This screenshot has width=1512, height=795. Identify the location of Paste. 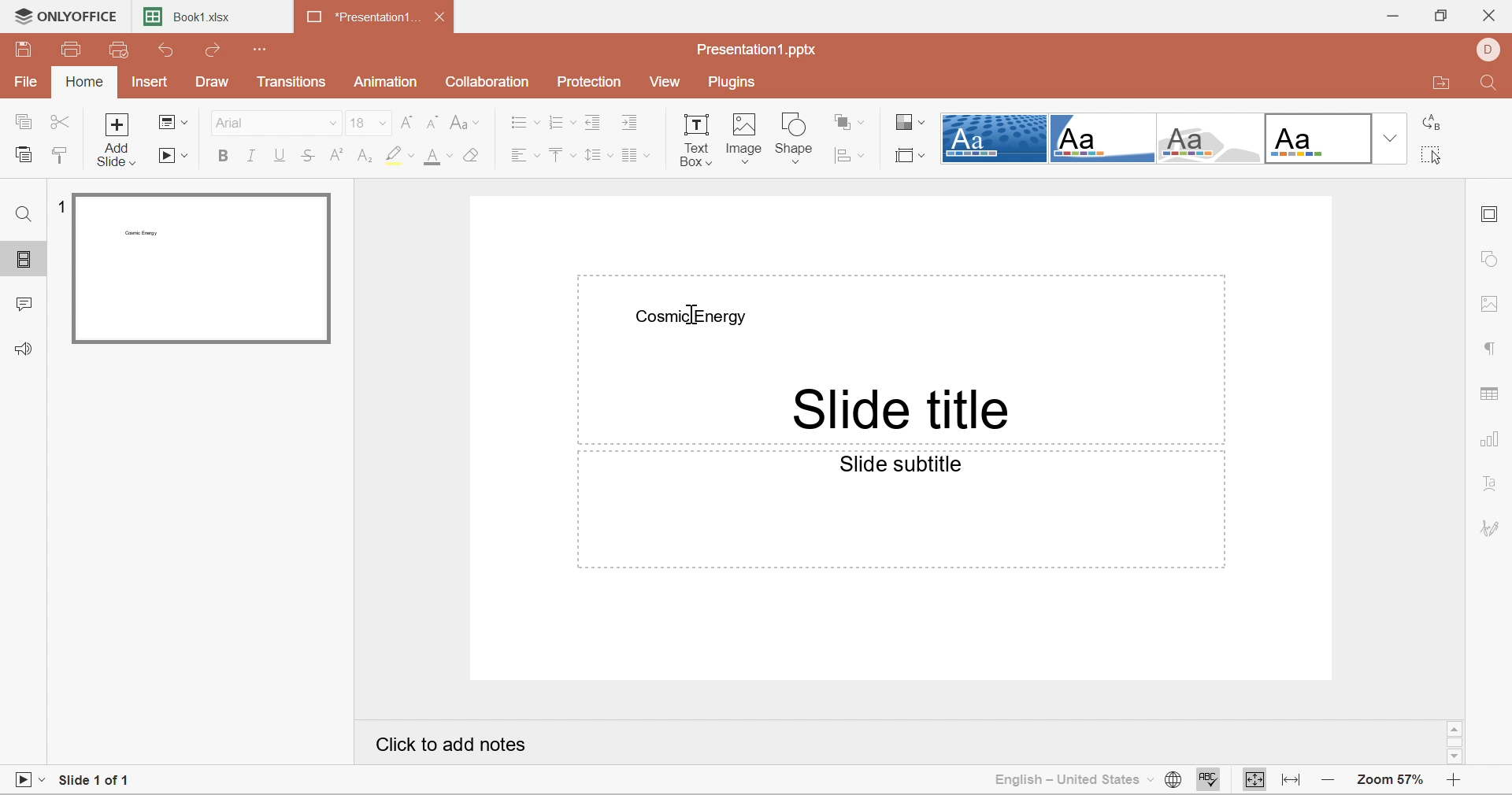
(26, 156).